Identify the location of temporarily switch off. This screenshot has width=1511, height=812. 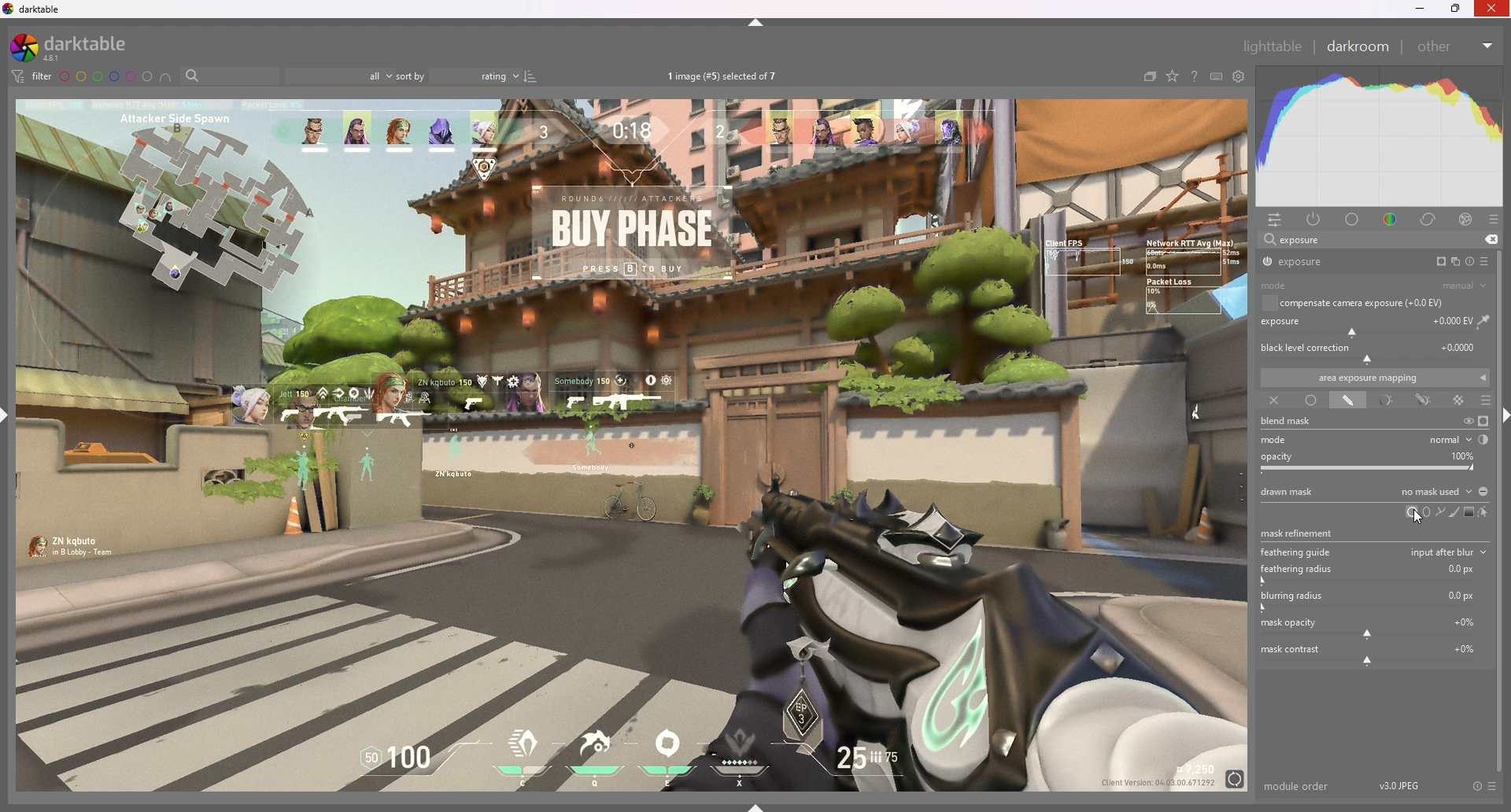
(1467, 421).